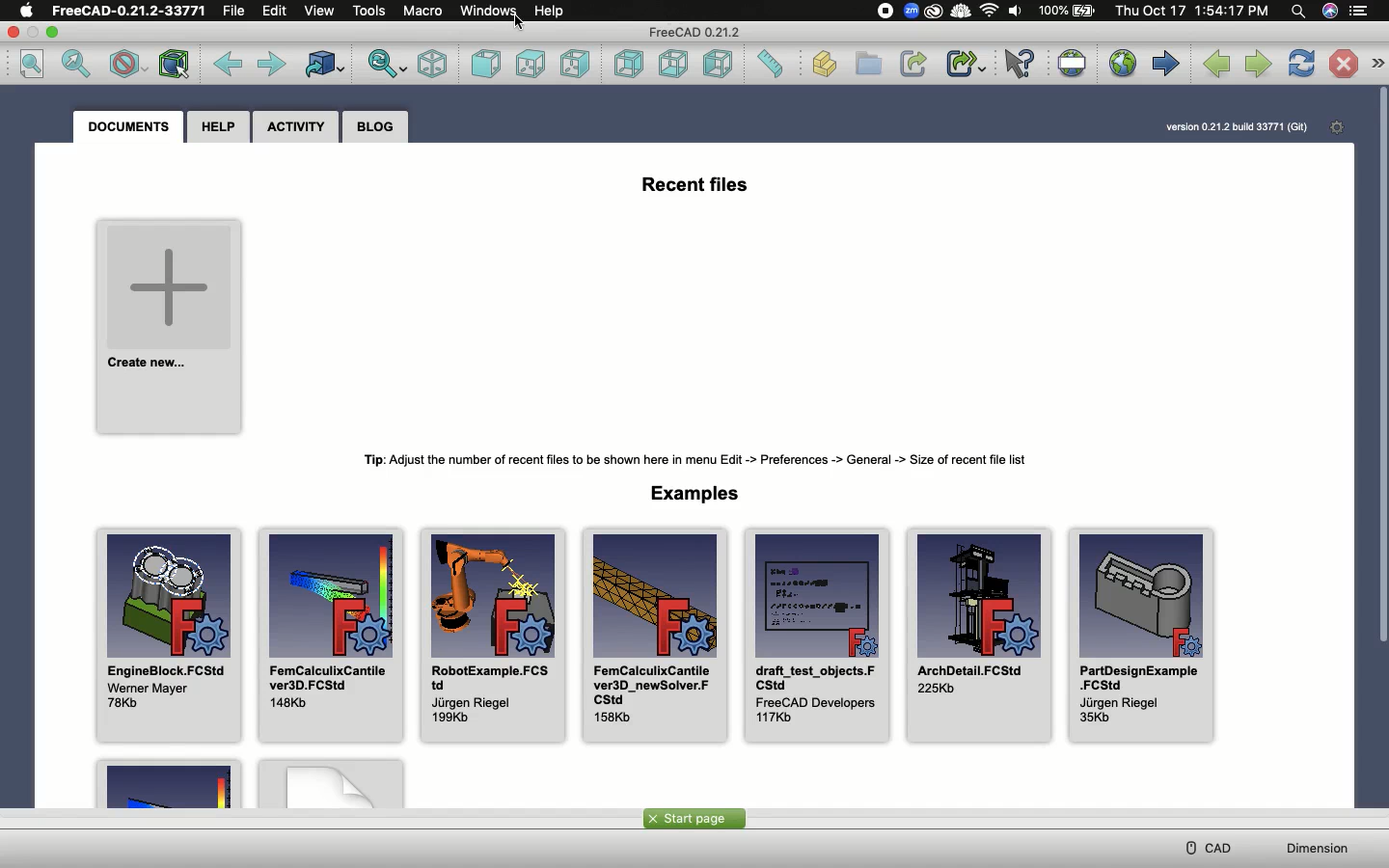 The height and width of the screenshot is (868, 1389). Describe the element at coordinates (385, 65) in the screenshot. I see `Sync view` at that location.